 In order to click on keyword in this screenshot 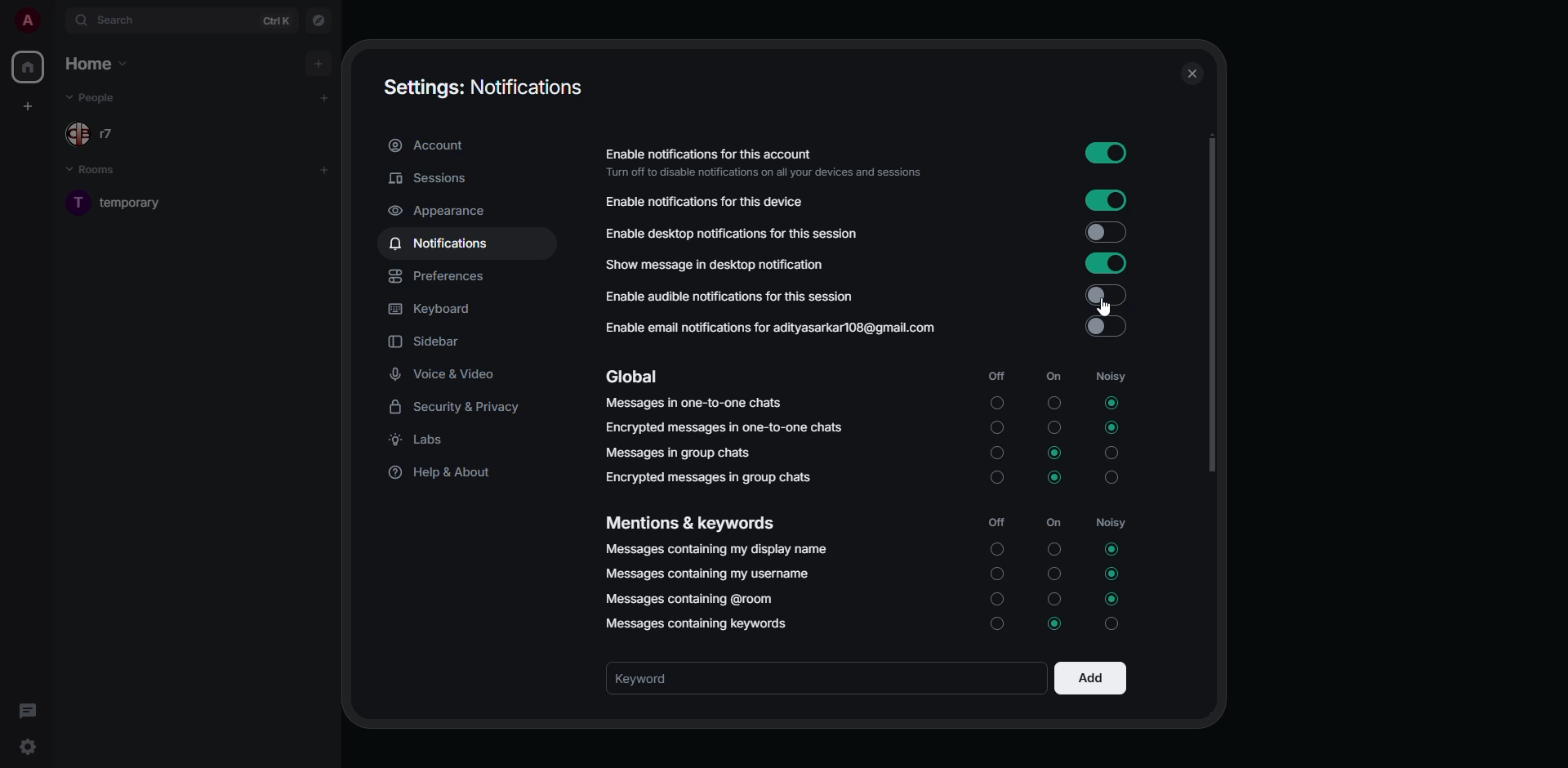, I will do `click(647, 679)`.